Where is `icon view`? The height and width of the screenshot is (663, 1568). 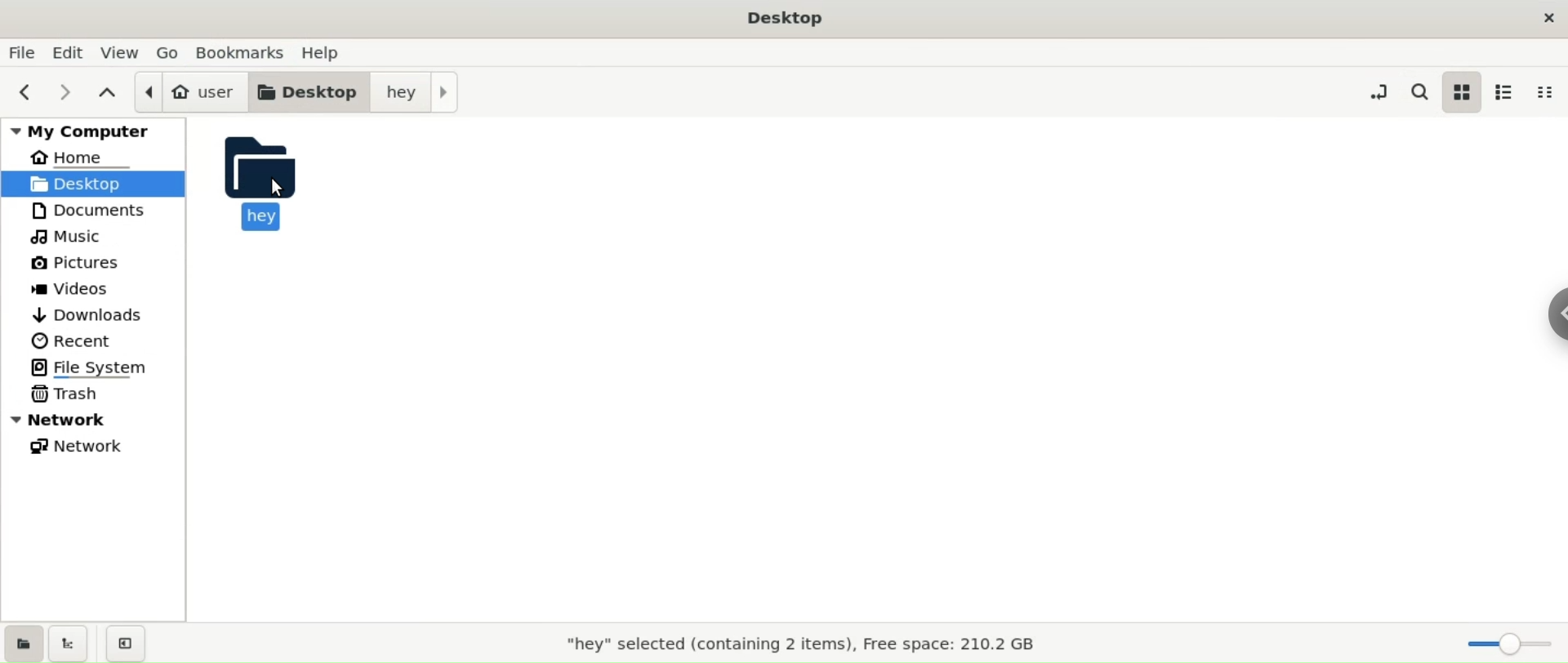 icon view is located at coordinates (1463, 91).